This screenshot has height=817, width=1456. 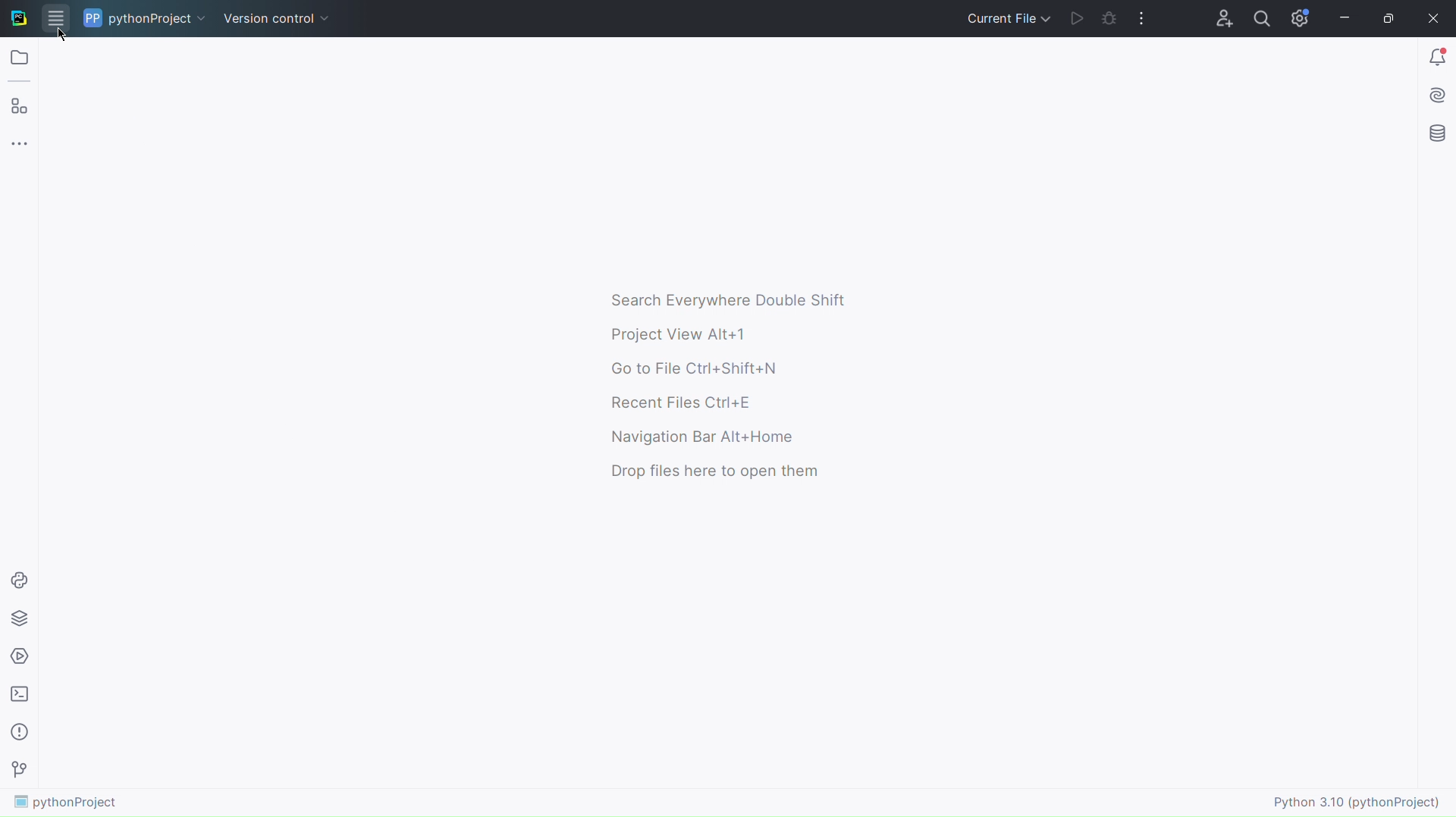 I want to click on Problems, so click(x=18, y=734).